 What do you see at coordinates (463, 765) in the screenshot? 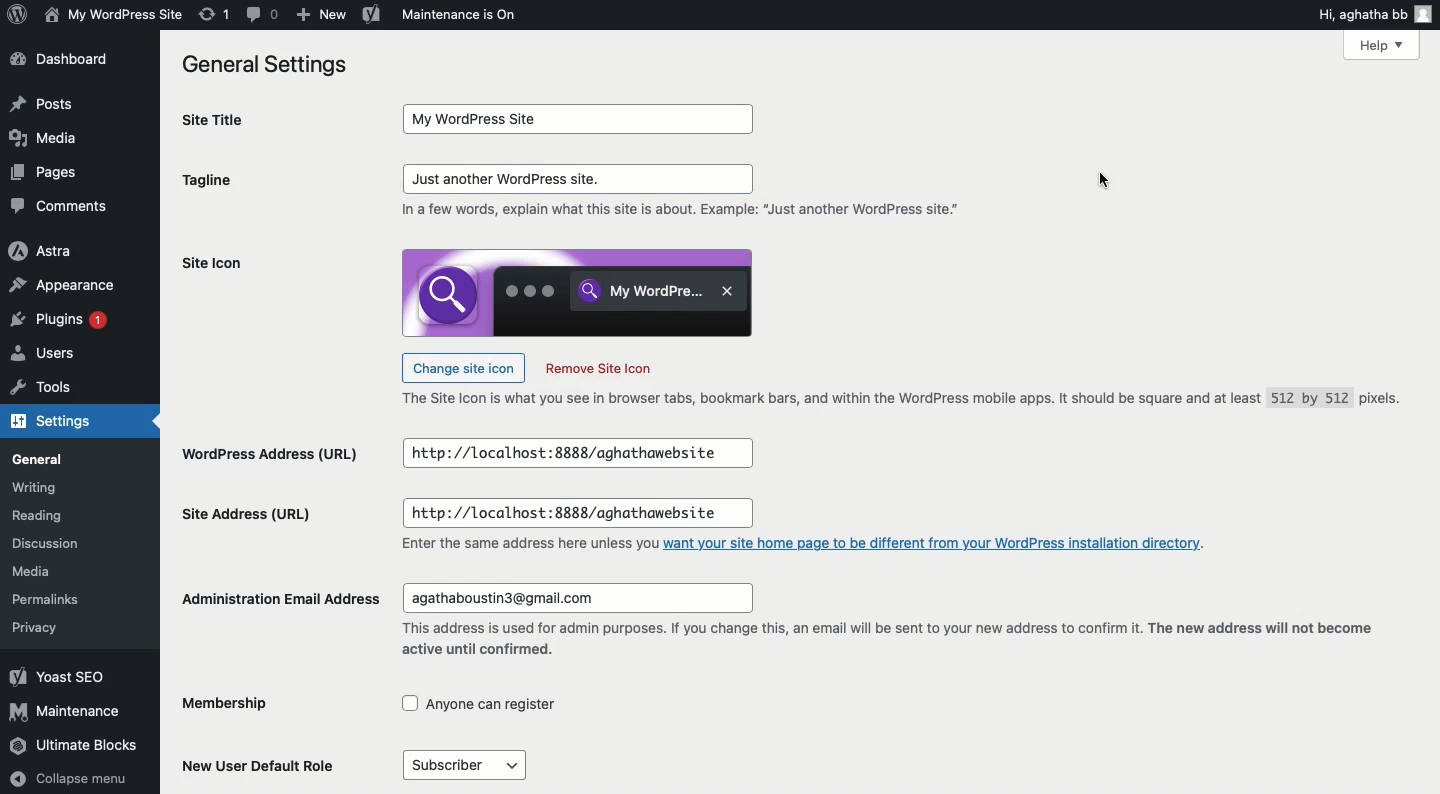
I see `menu` at bounding box center [463, 765].